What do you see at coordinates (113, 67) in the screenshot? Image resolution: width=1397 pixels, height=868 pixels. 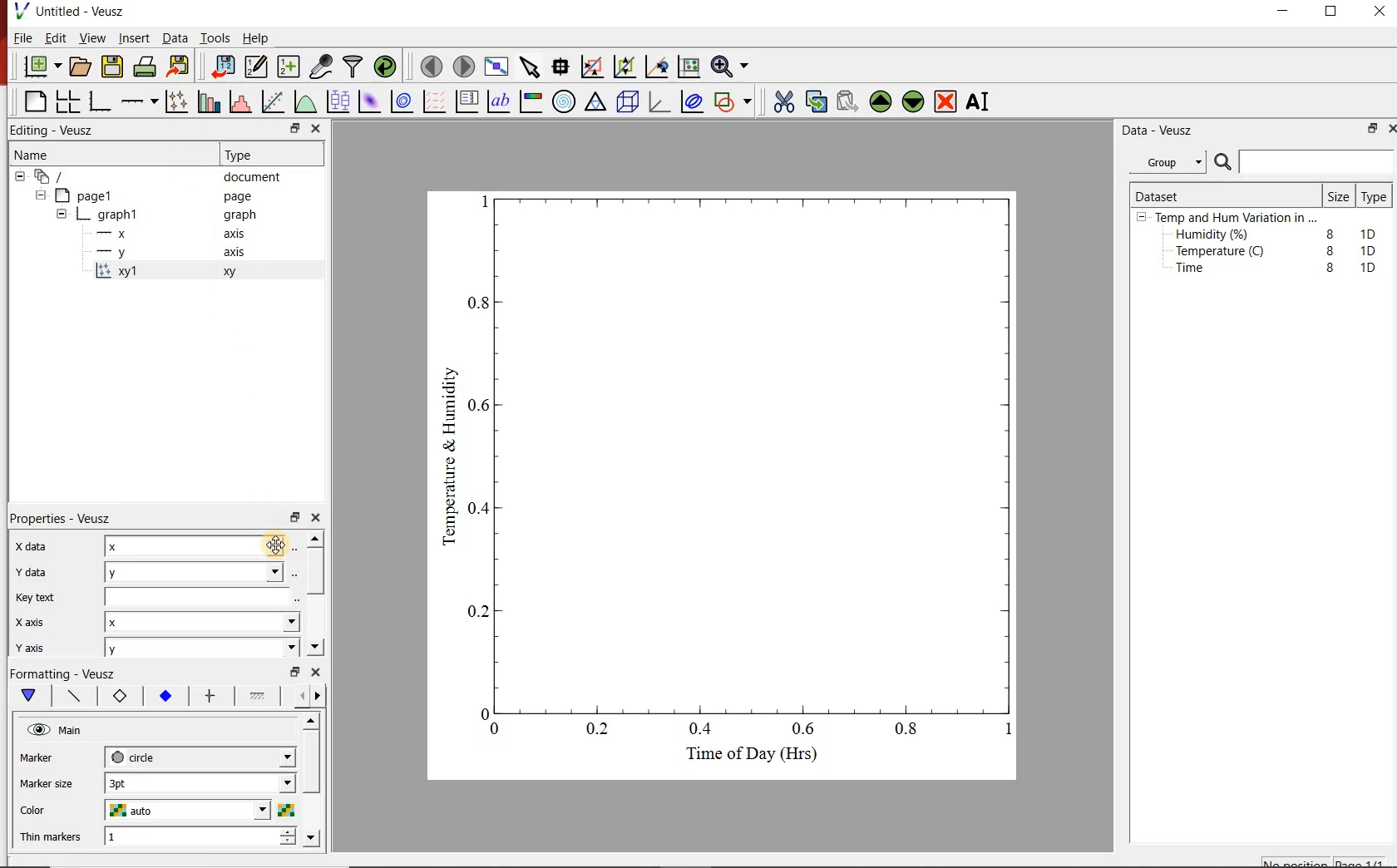 I see `save the document` at bounding box center [113, 67].